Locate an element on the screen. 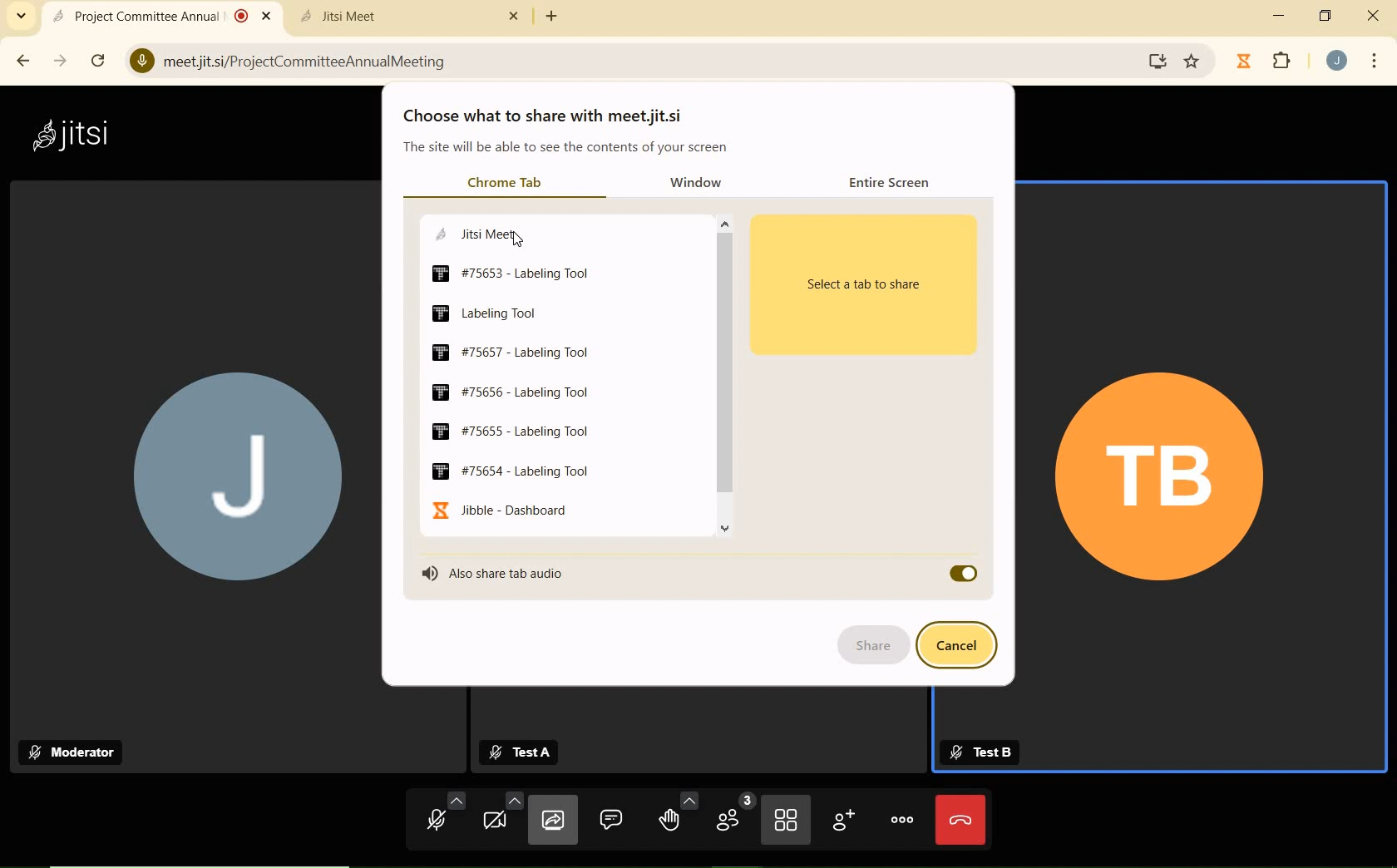  jitsi is located at coordinates (78, 133).